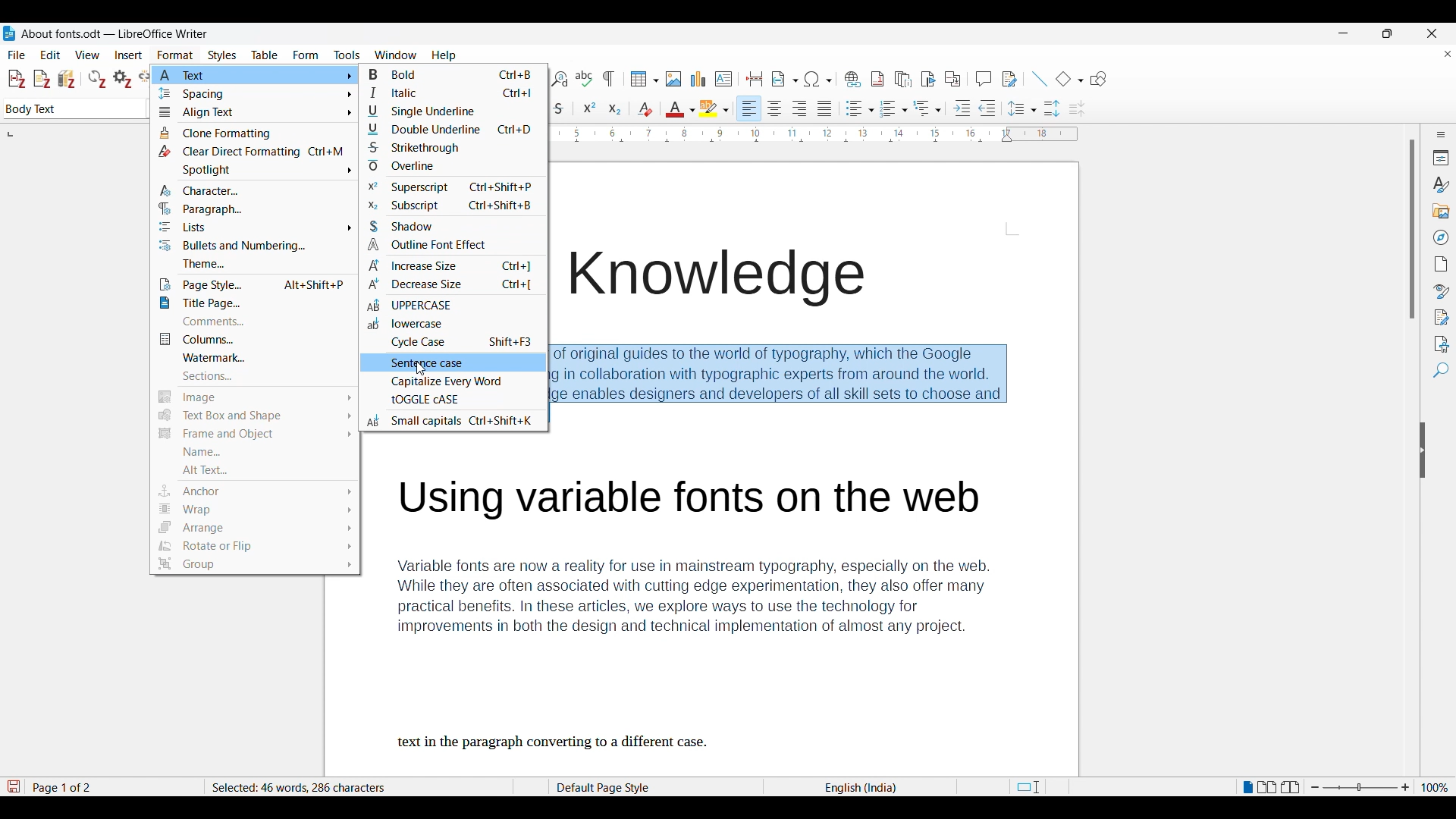  What do you see at coordinates (254, 416) in the screenshot?
I see `text box and shape` at bounding box center [254, 416].